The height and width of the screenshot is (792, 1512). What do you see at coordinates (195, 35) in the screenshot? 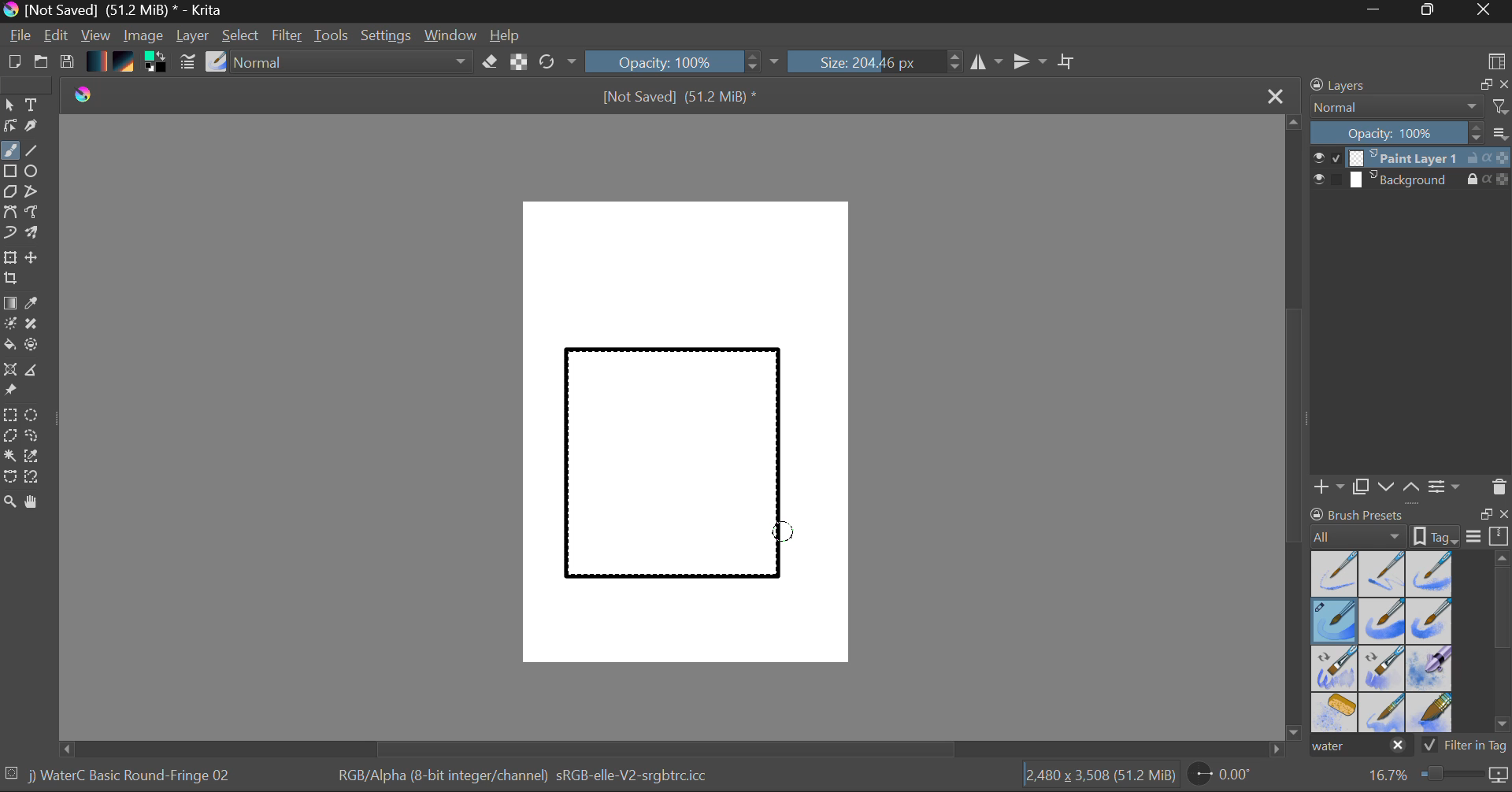
I see `Layer` at bounding box center [195, 35].